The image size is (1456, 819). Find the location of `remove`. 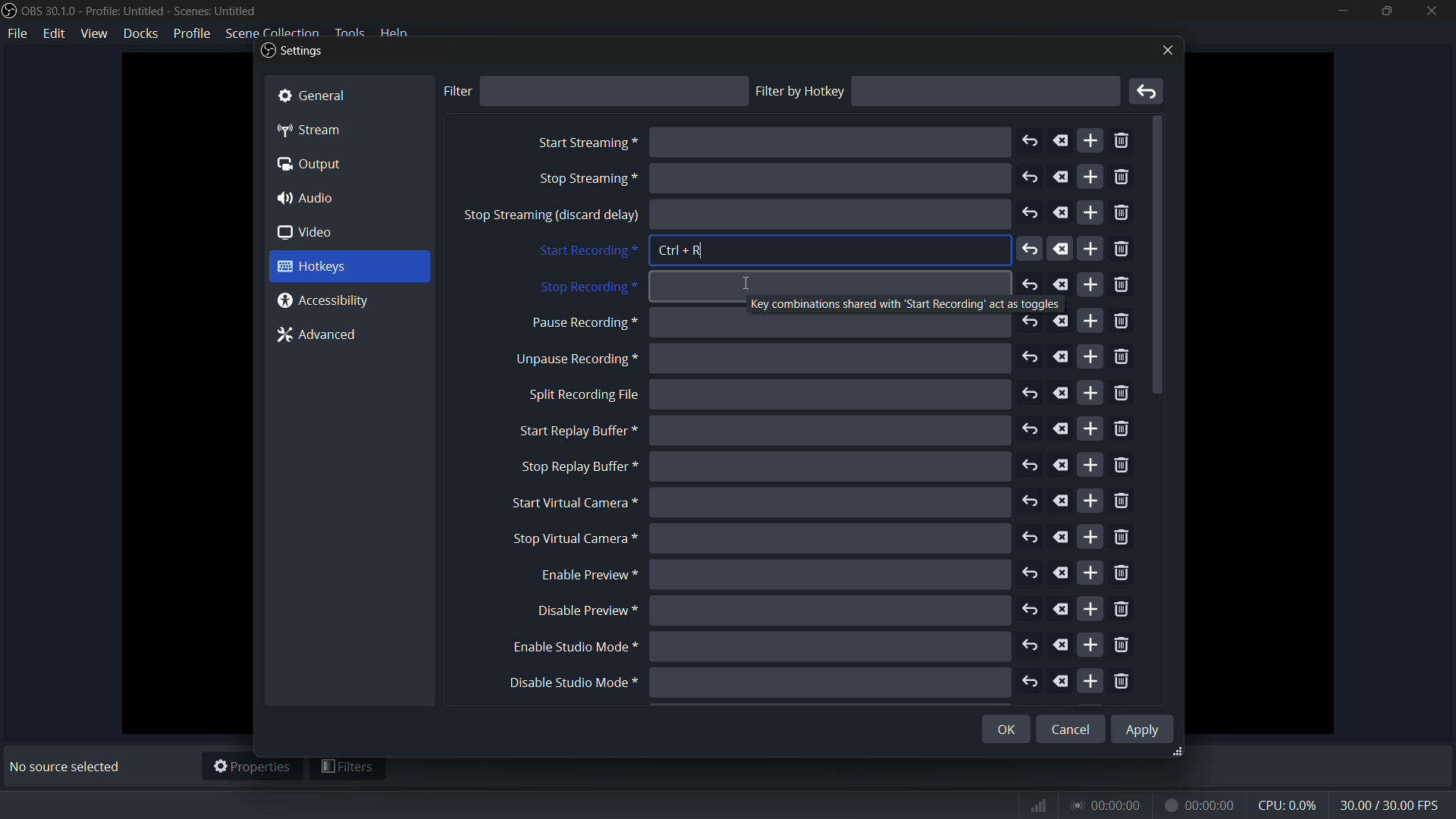

remove is located at coordinates (1125, 573).